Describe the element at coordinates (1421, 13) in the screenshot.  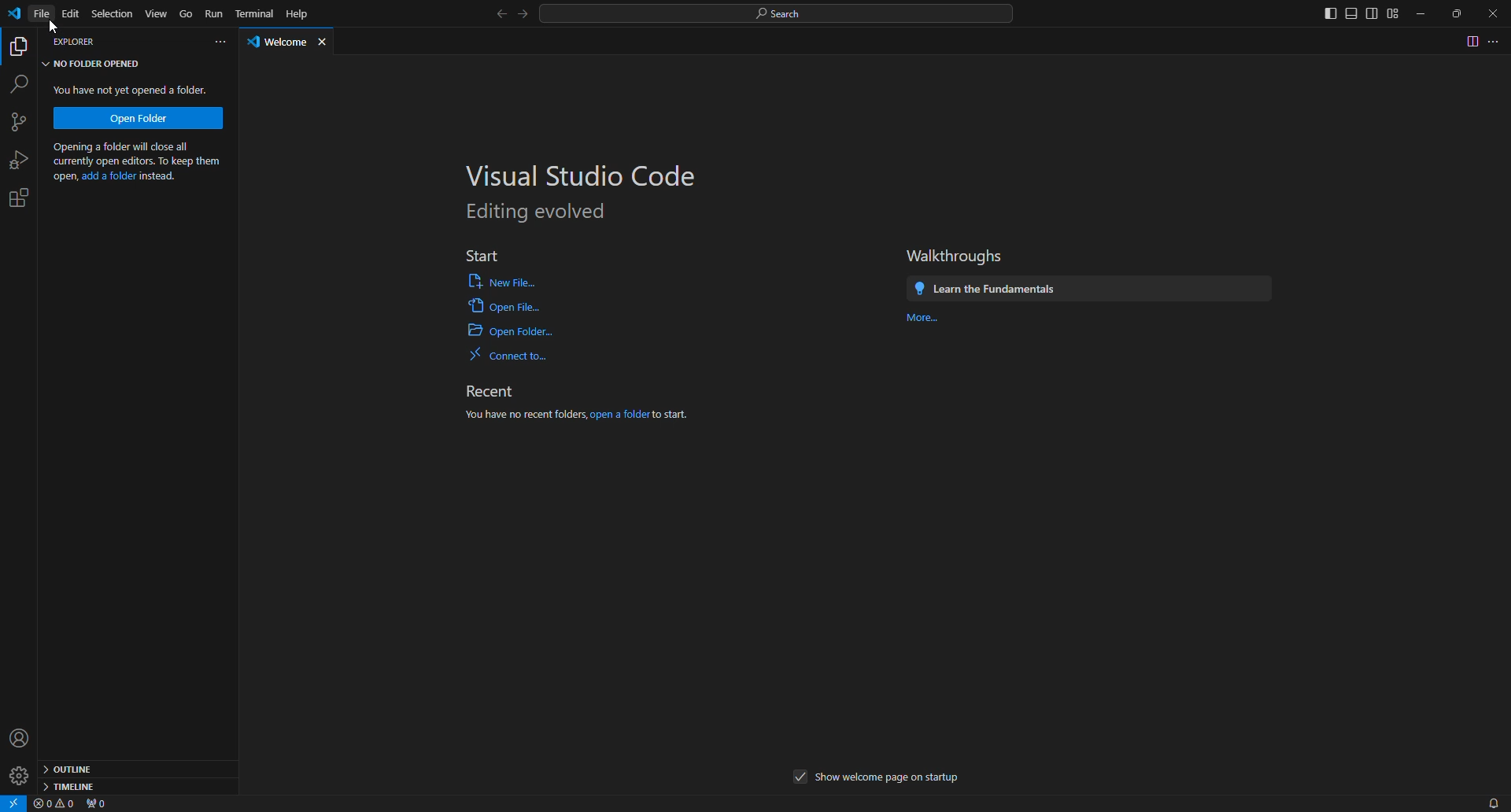
I see `minimize` at that location.